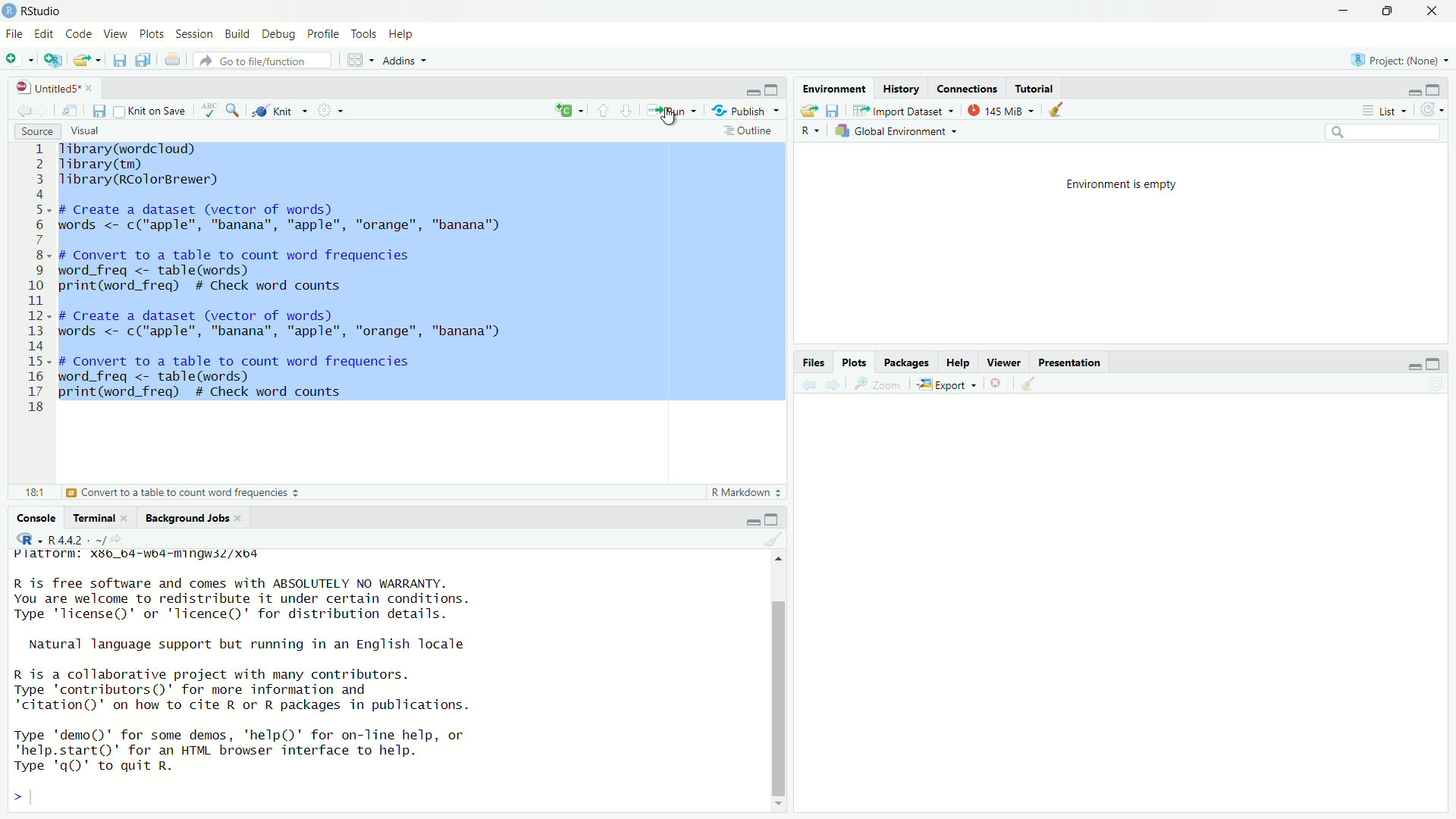 The image size is (1456, 819). Describe the element at coordinates (1428, 14) in the screenshot. I see `Close` at that location.